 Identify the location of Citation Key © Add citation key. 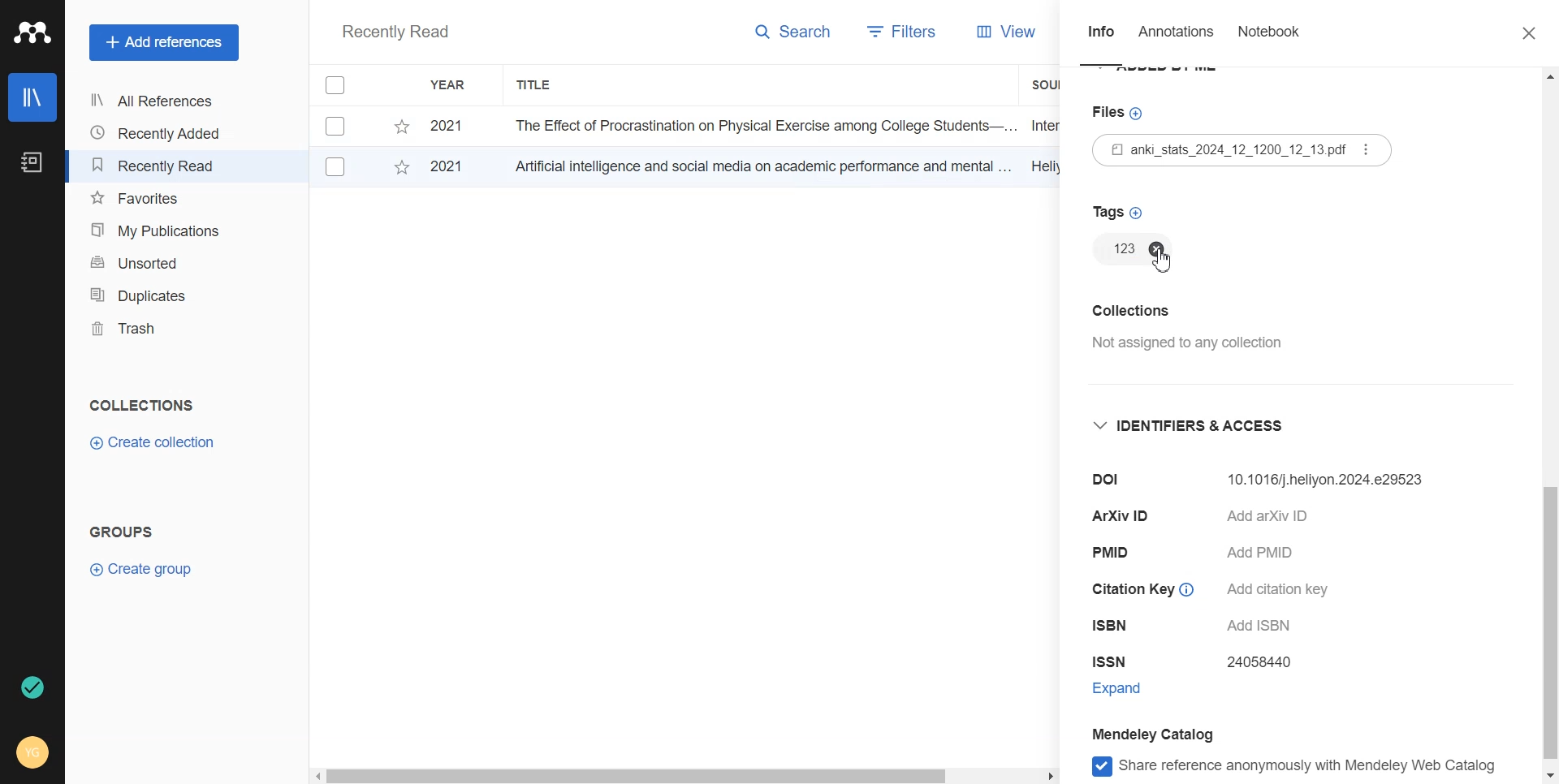
(1217, 592).